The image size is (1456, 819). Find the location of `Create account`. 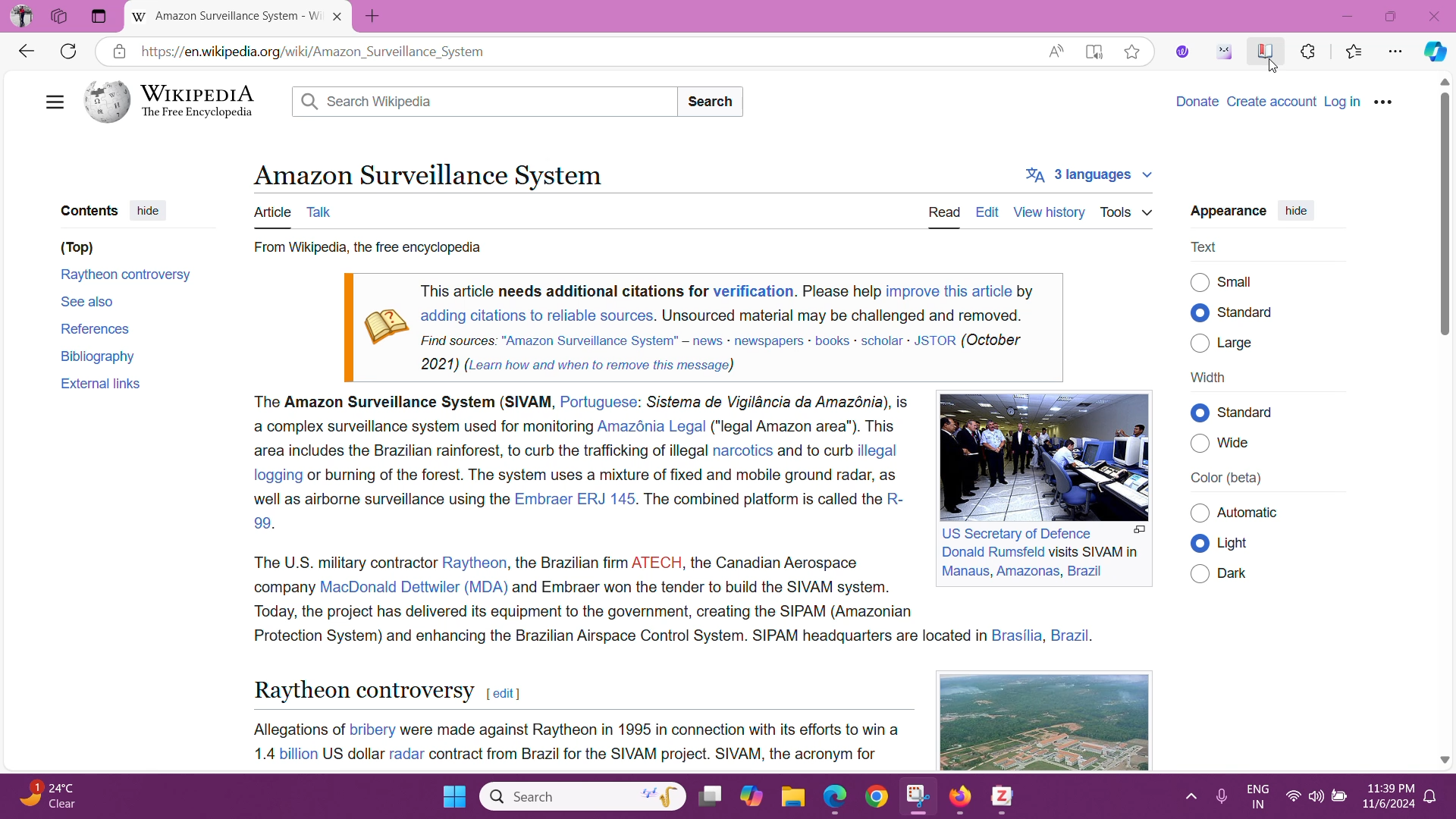

Create account is located at coordinates (1273, 101).